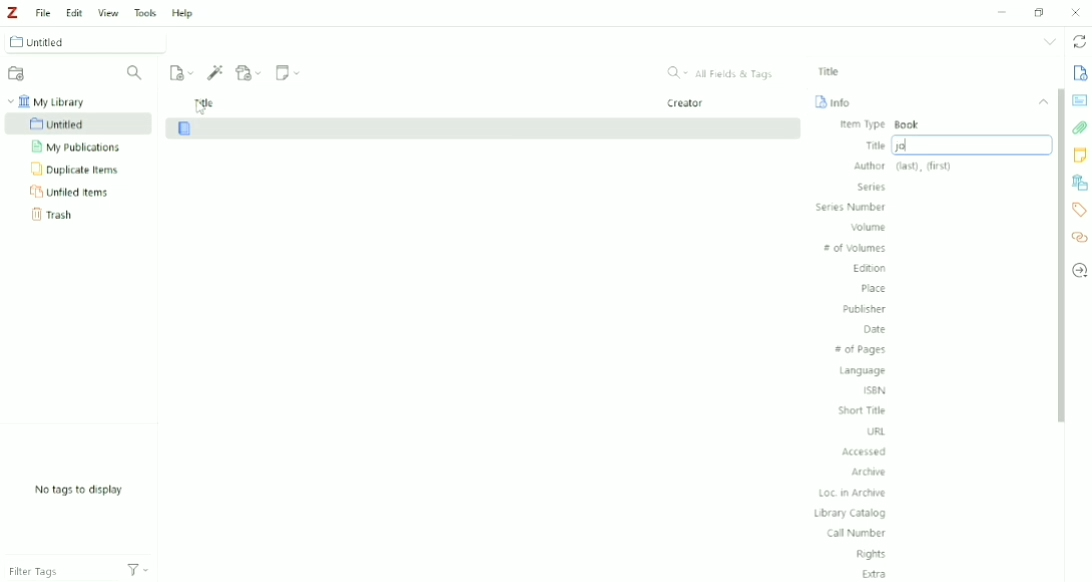  I want to click on Author, so click(902, 166).